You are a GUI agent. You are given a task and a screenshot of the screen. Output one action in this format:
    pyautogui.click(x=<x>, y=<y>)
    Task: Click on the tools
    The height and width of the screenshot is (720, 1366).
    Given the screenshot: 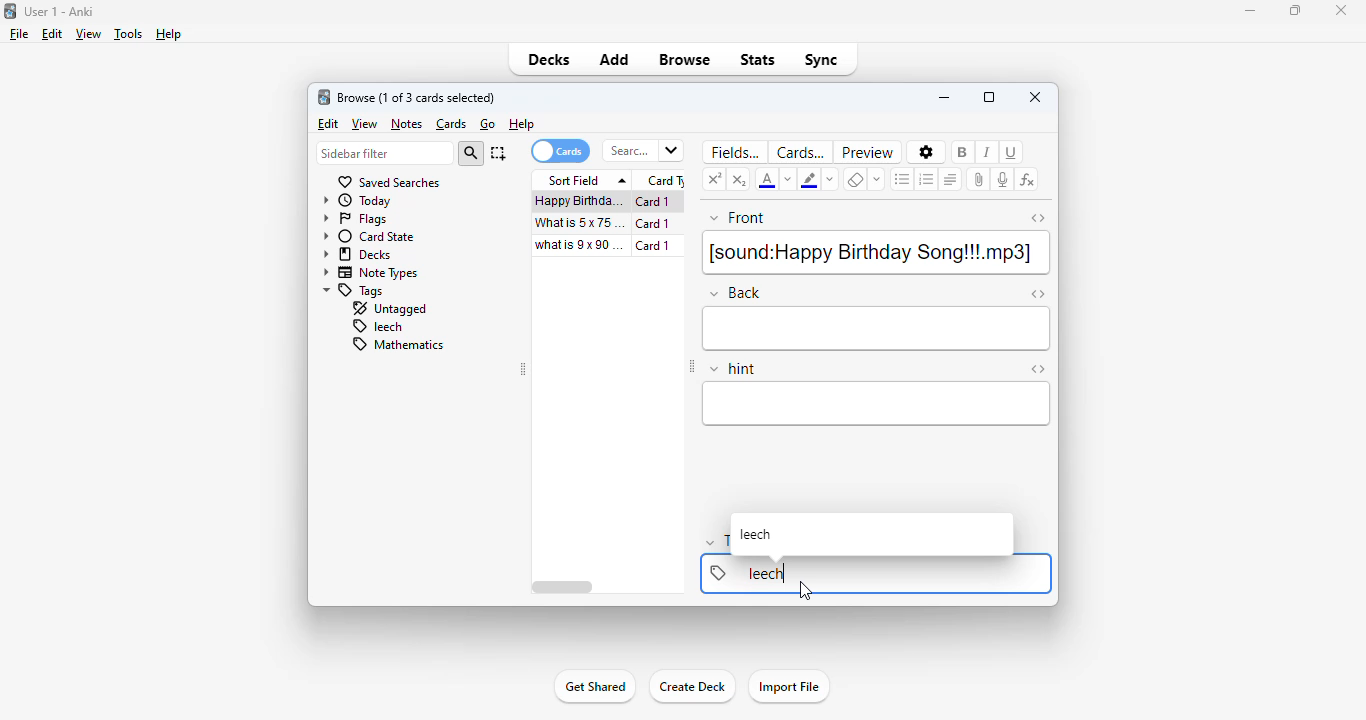 What is the action you would take?
    pyautogui.click(x=128, y=35)
    